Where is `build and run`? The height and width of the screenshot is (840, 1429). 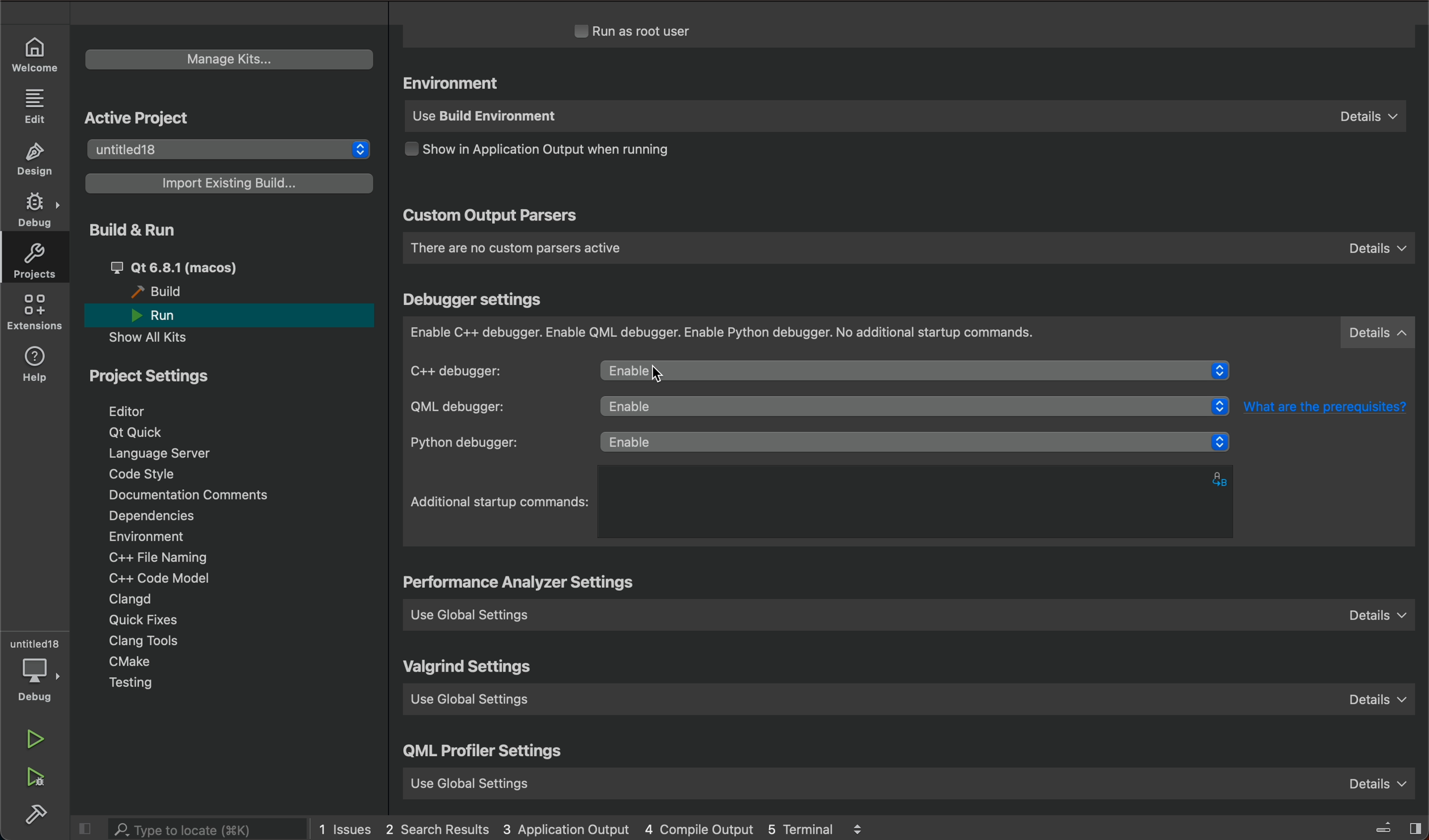 build and run is located at coordinates (130, 229).